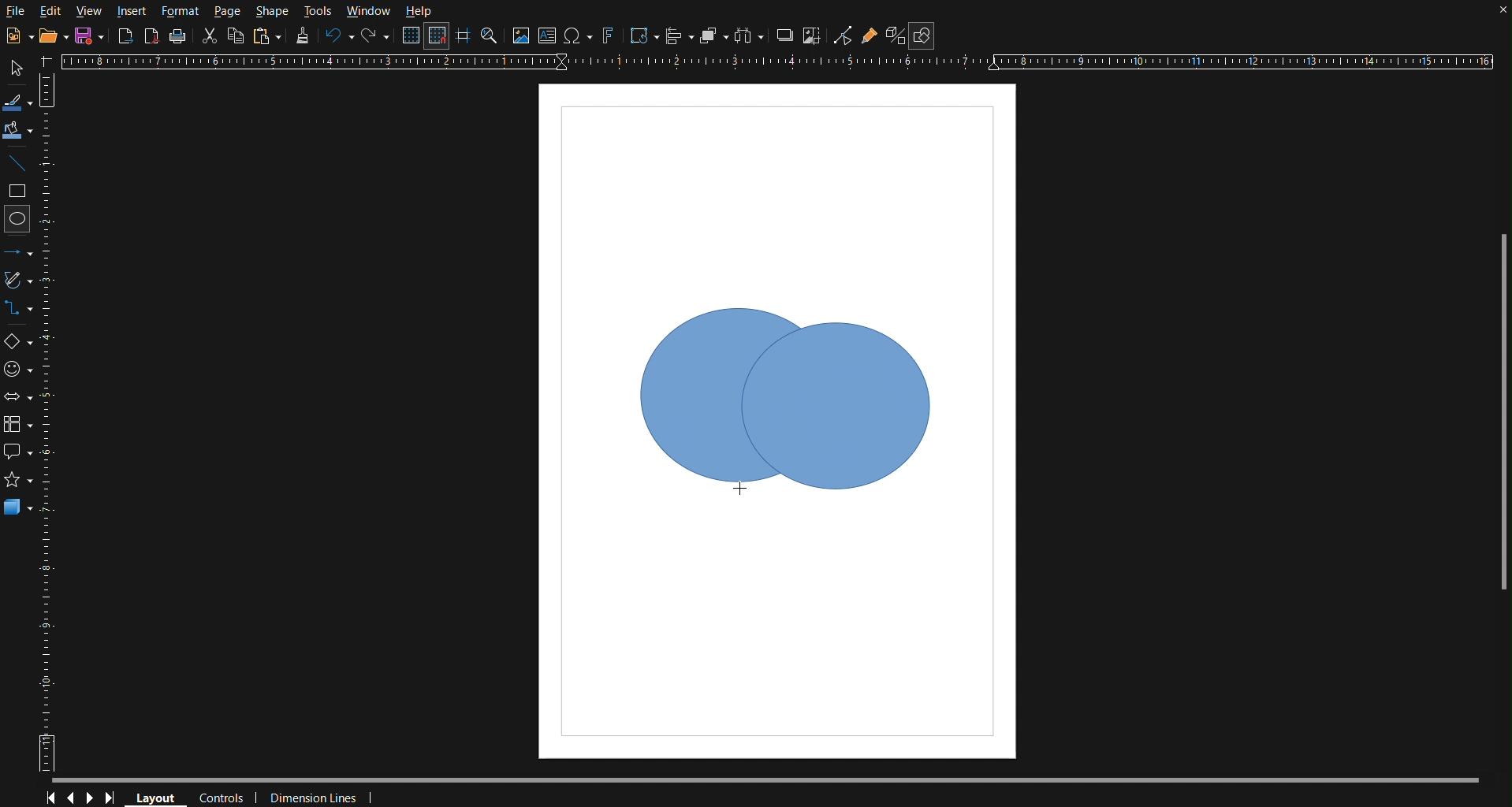 This screenshot has height=807, width=1512. Describe the element at coordinates (20, 101) in the screenshot. I see `Line Color` at that location.